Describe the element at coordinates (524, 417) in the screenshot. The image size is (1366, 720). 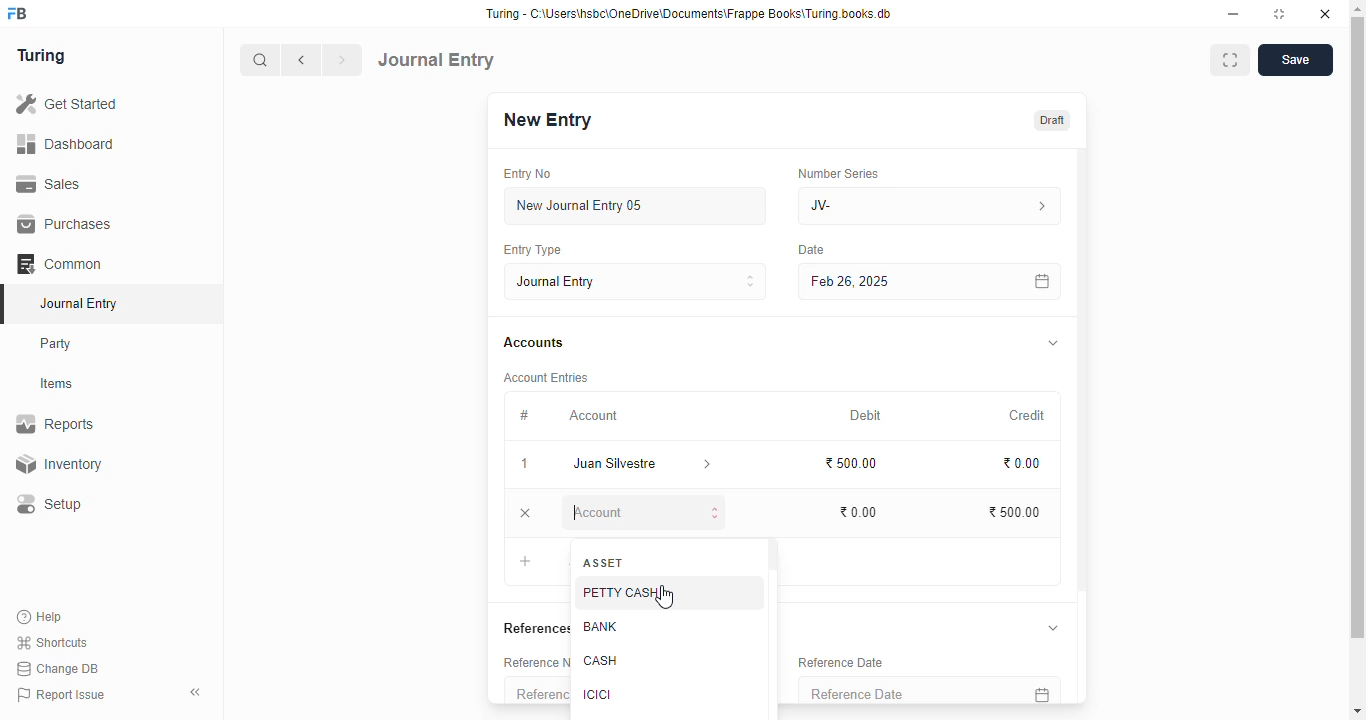
I see `#` at that location.